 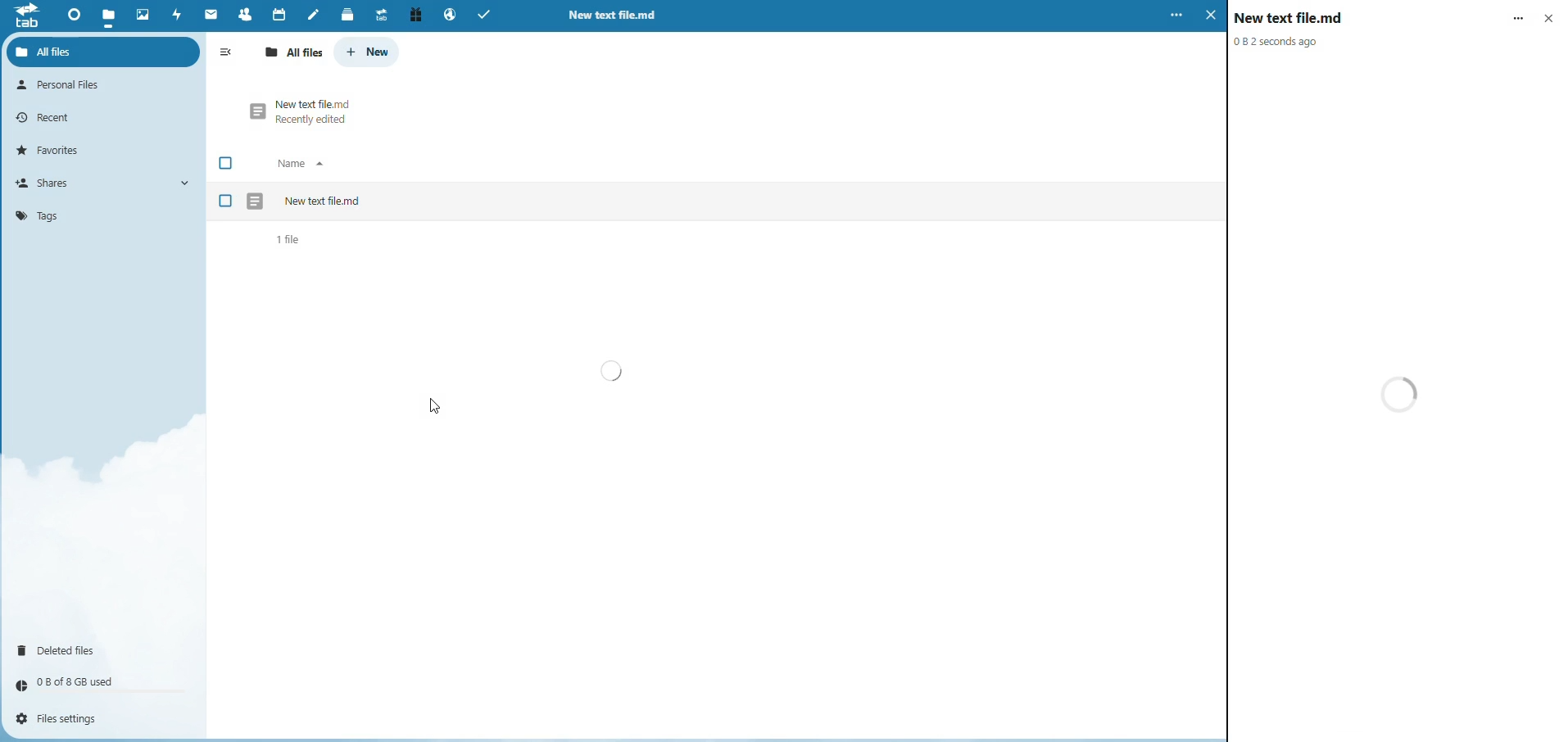 What do you see at coordinates (1291, 17) in the screenshot?
I see `New text file` at bounding box center [1291, 17].